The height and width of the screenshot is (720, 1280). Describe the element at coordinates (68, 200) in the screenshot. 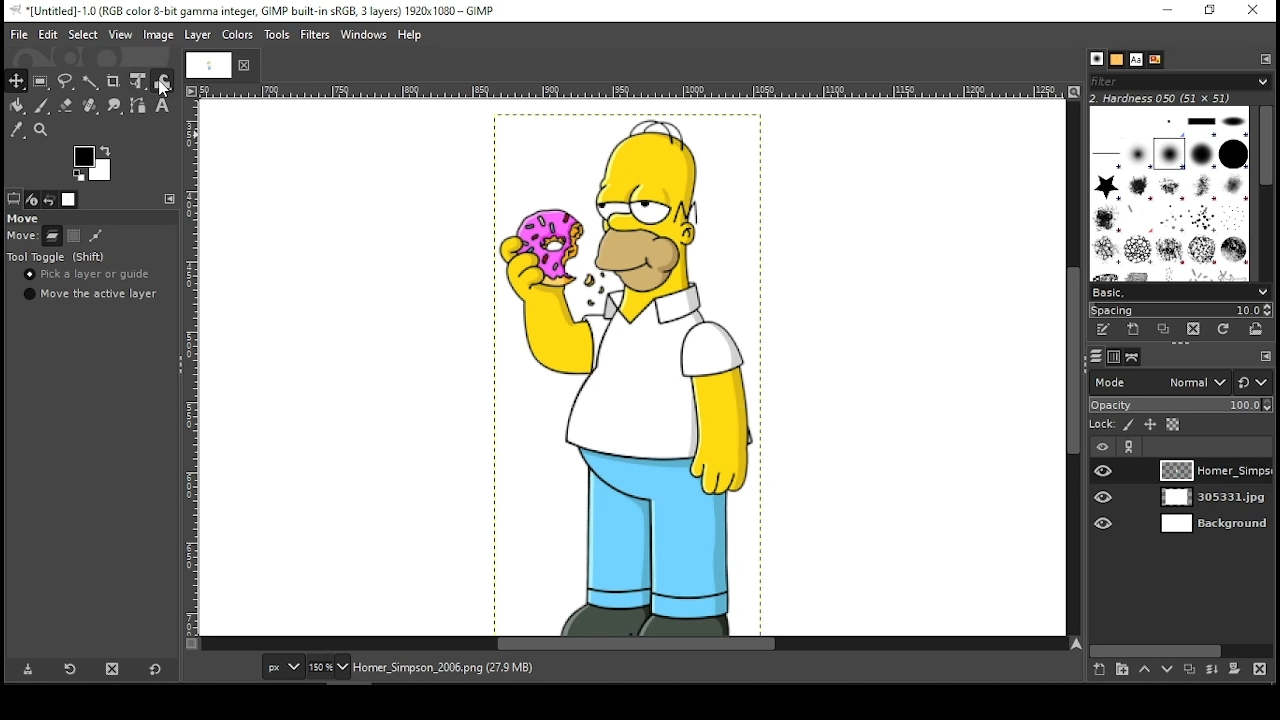

I see `images` at that location.